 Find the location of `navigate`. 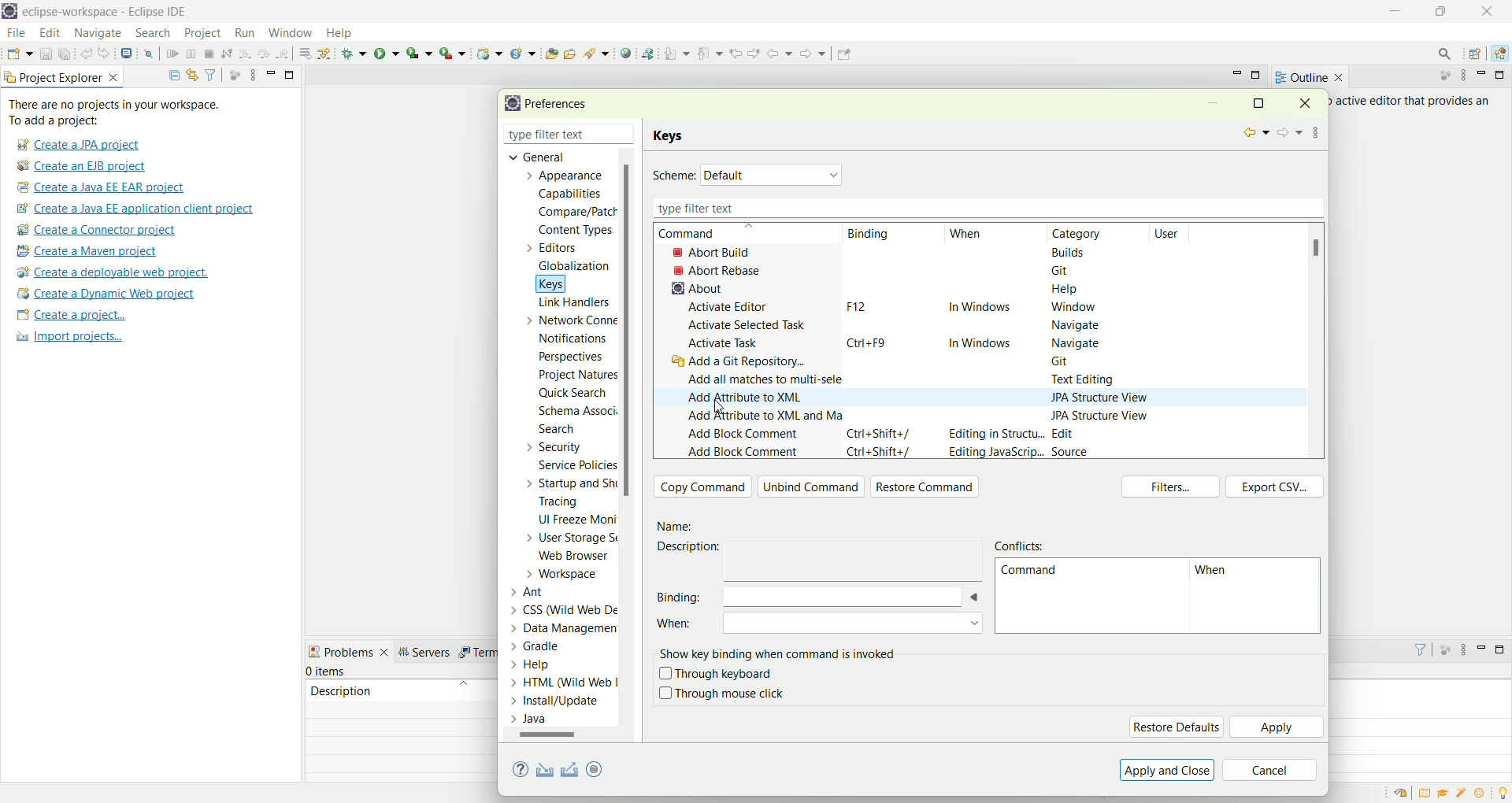

navigate is located at coordinates (1072, 326).